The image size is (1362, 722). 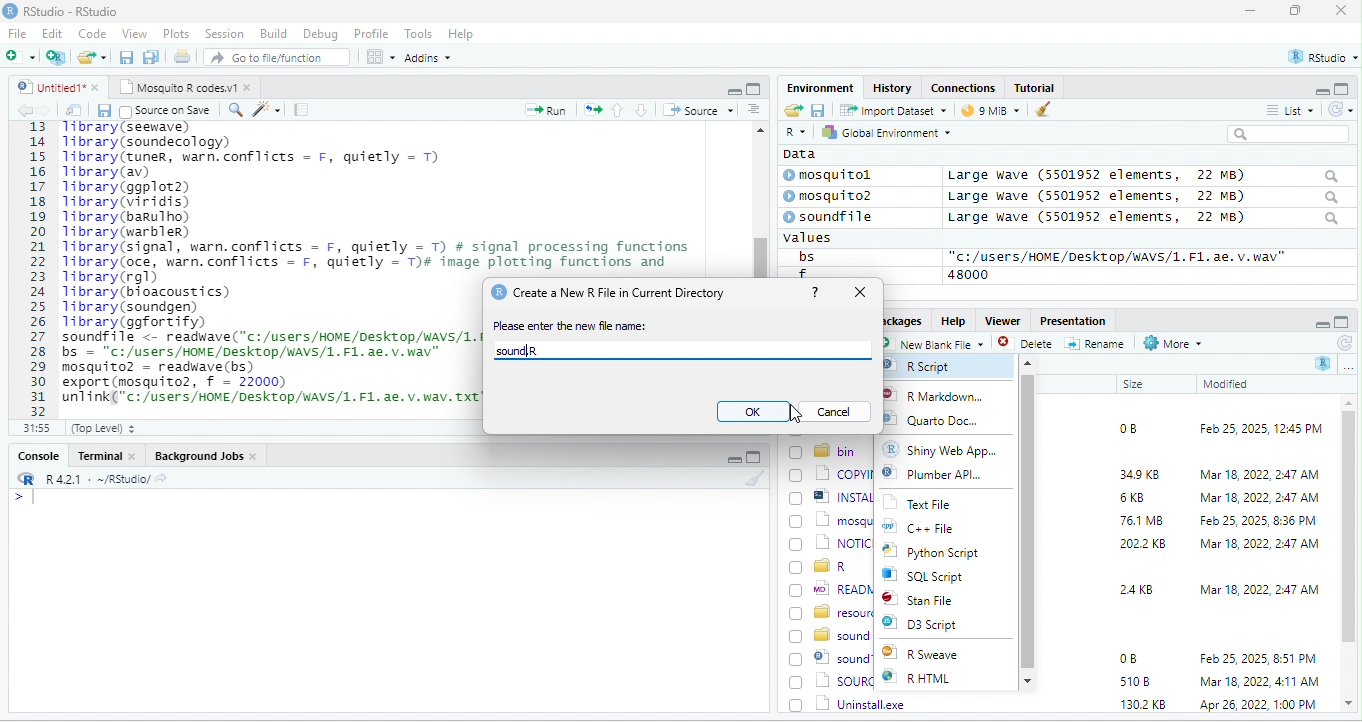 I want to click on (Top Level) +, so click(x=103, y=428).